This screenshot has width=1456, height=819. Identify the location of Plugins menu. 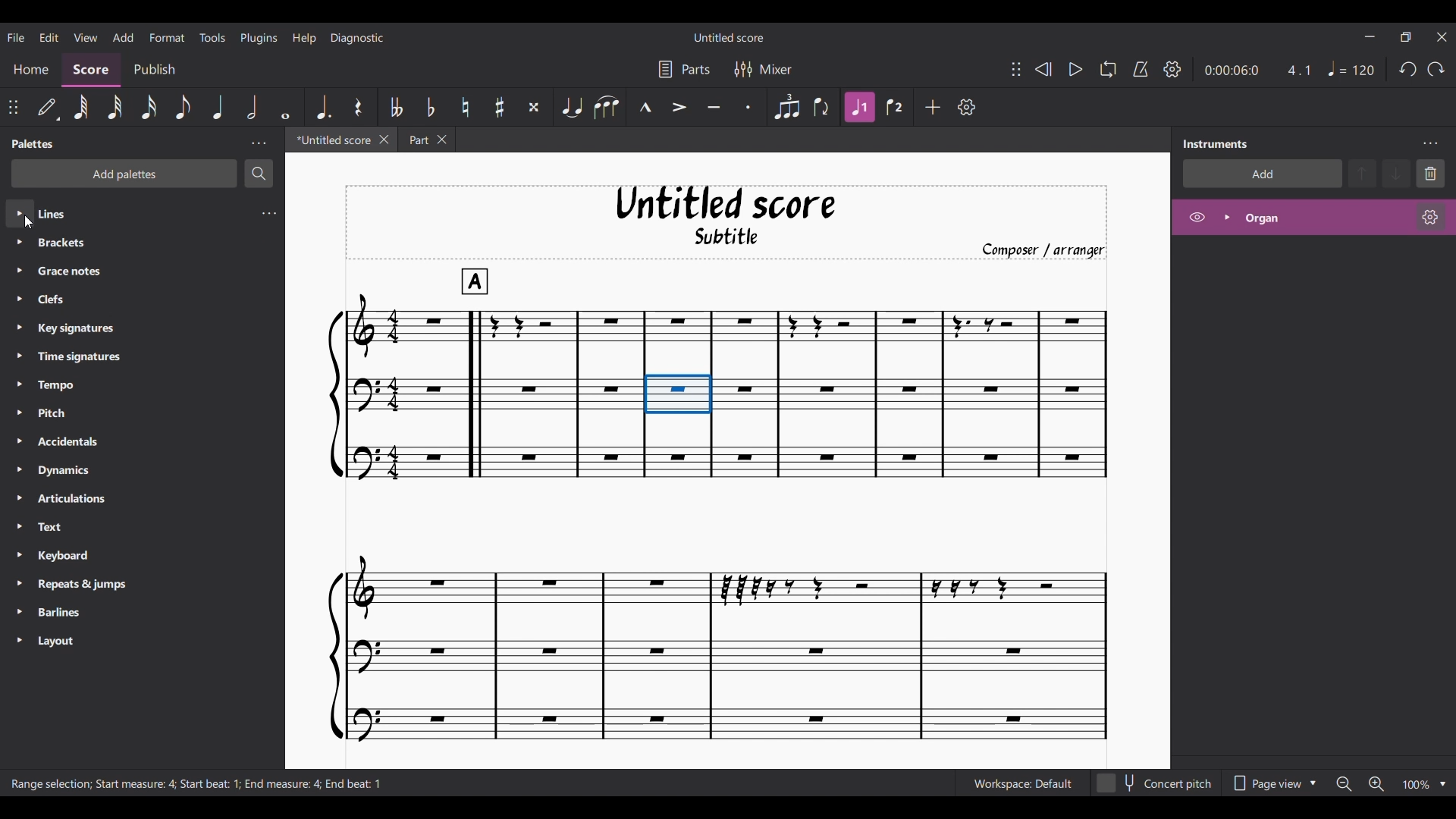
(259, 37).